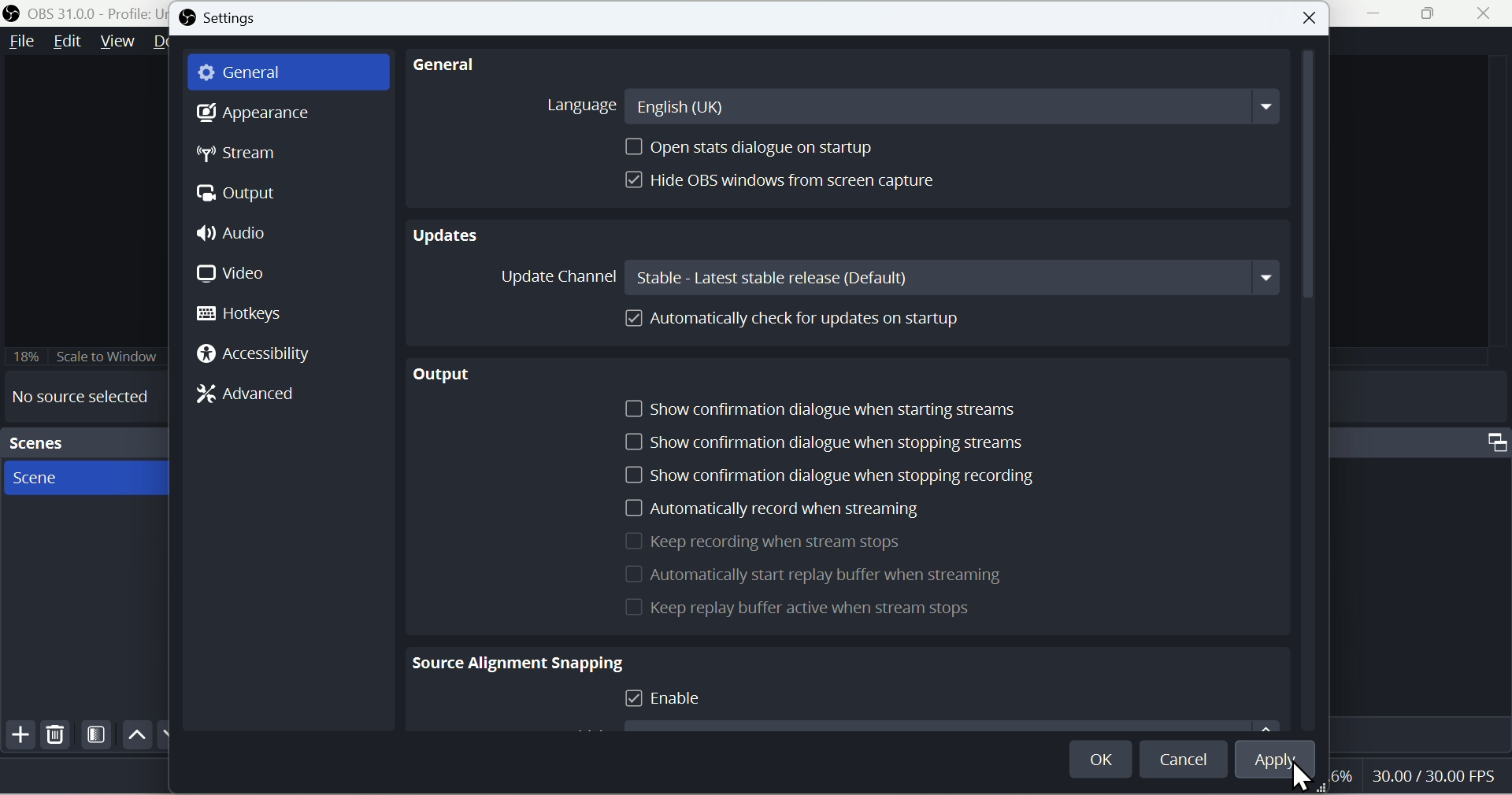  What do you see at coordinates (831, 409) in the screenshot?
I see `Show confirmation dialogue when starting streams` at bounding box center [831, 409].